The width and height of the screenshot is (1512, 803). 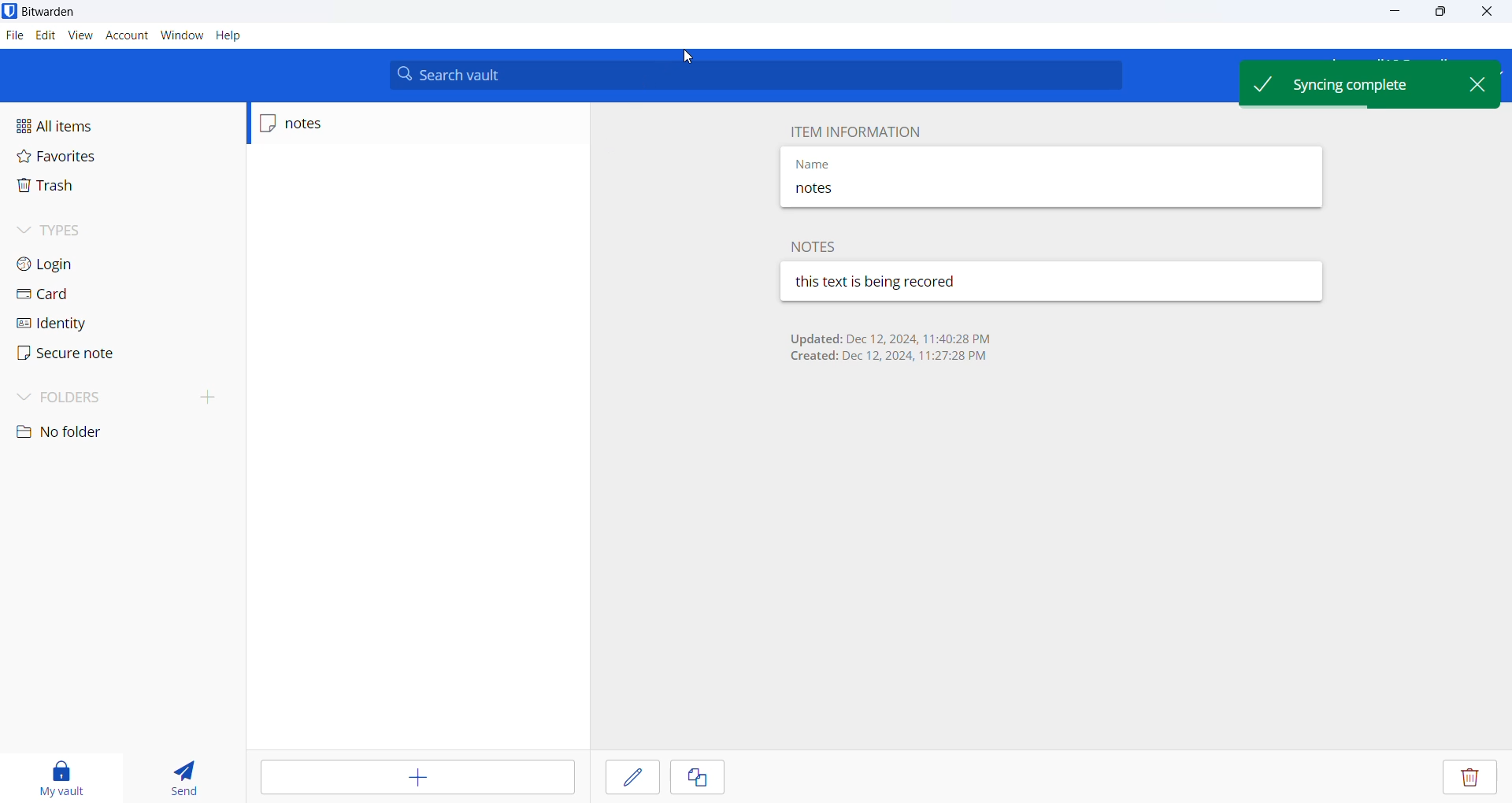 I want to click on files, so click(x=12, y=33).